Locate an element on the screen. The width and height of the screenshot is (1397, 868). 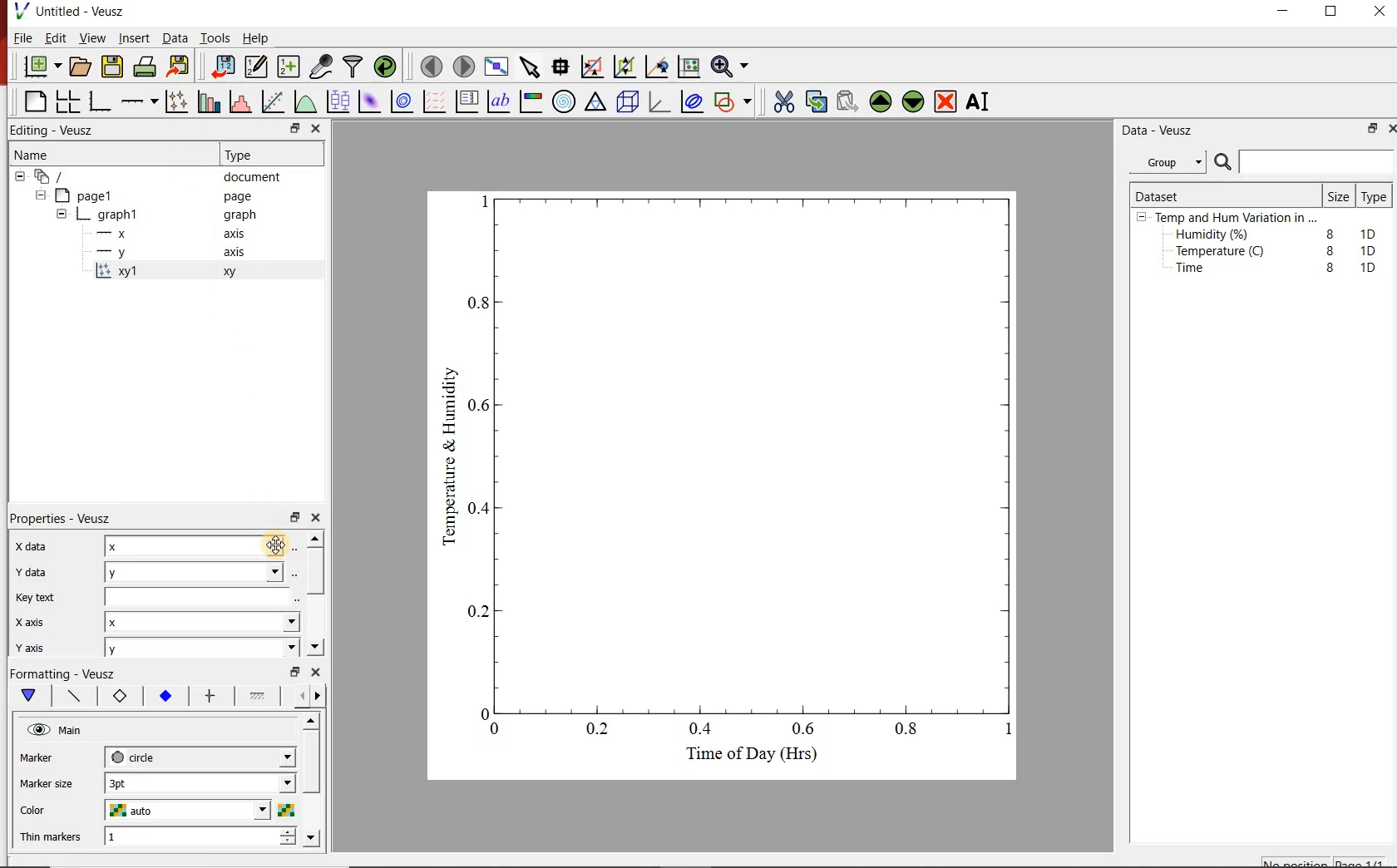
cut the selected widget is located at coordinates (782, 100).